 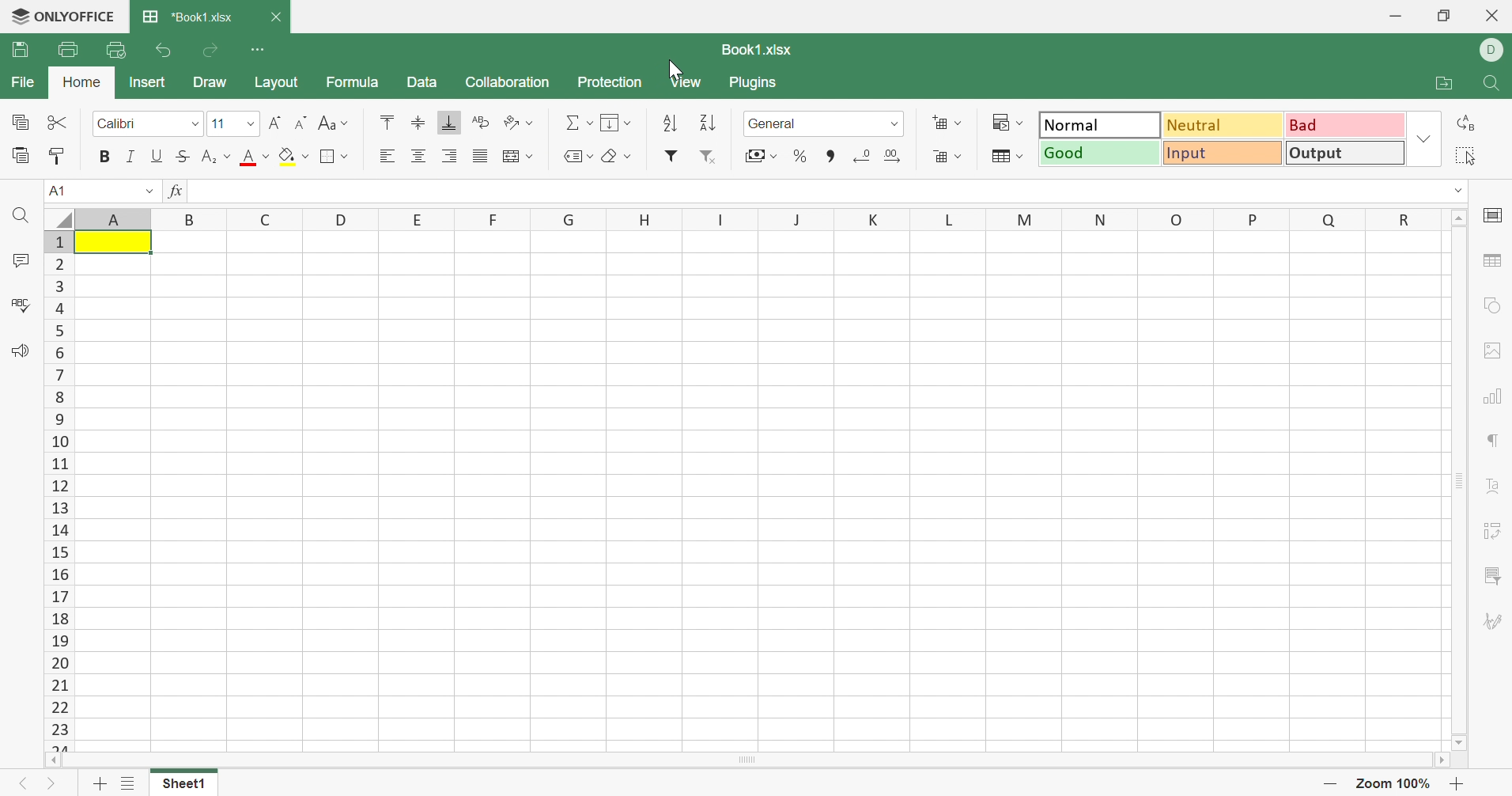 What do you see at coordinates (617, 122) in the screenshot?
I see `Fill` at bounding box center [617, 122].